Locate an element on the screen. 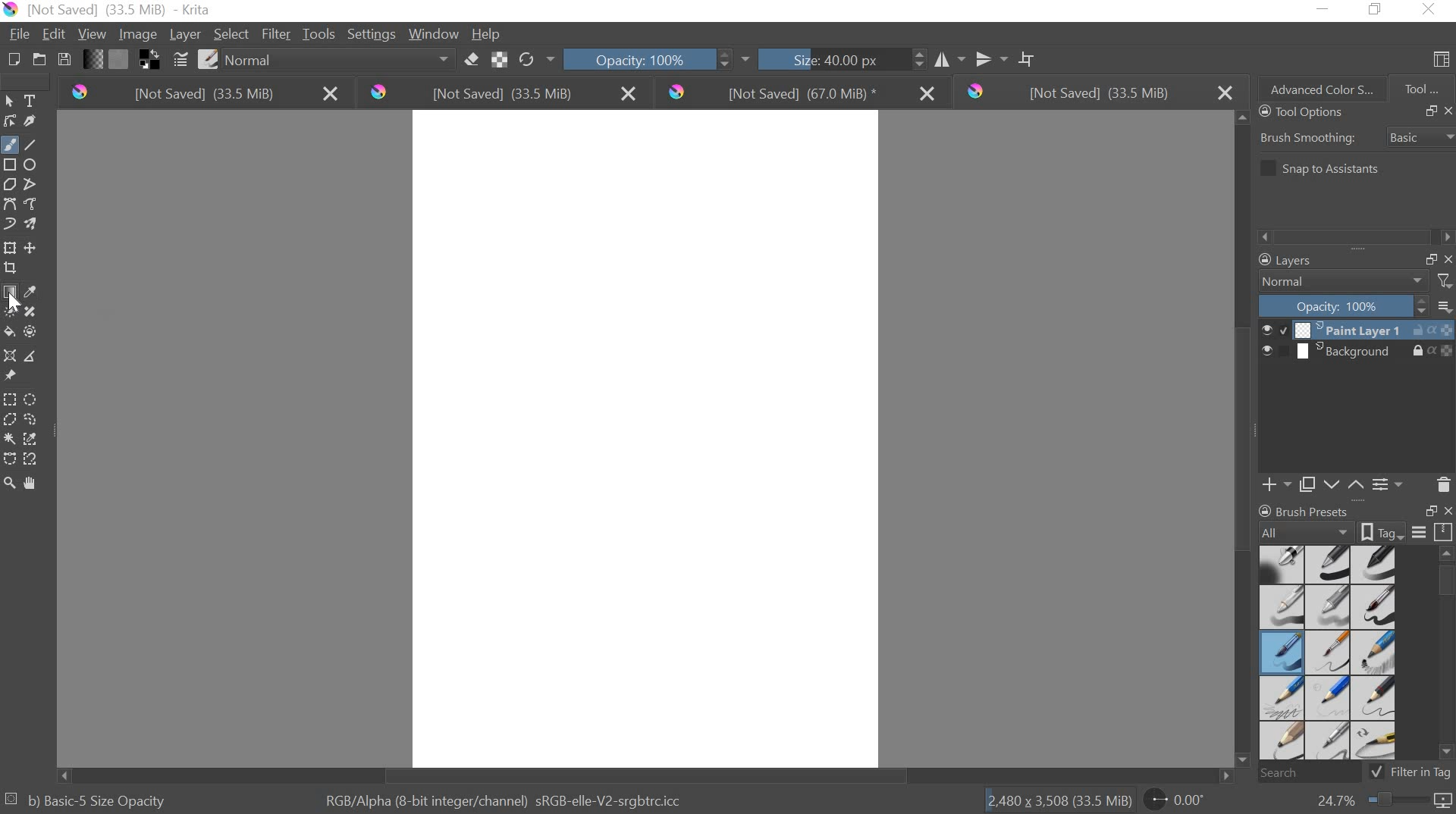  EDIT is located at coordinates (57, 33).